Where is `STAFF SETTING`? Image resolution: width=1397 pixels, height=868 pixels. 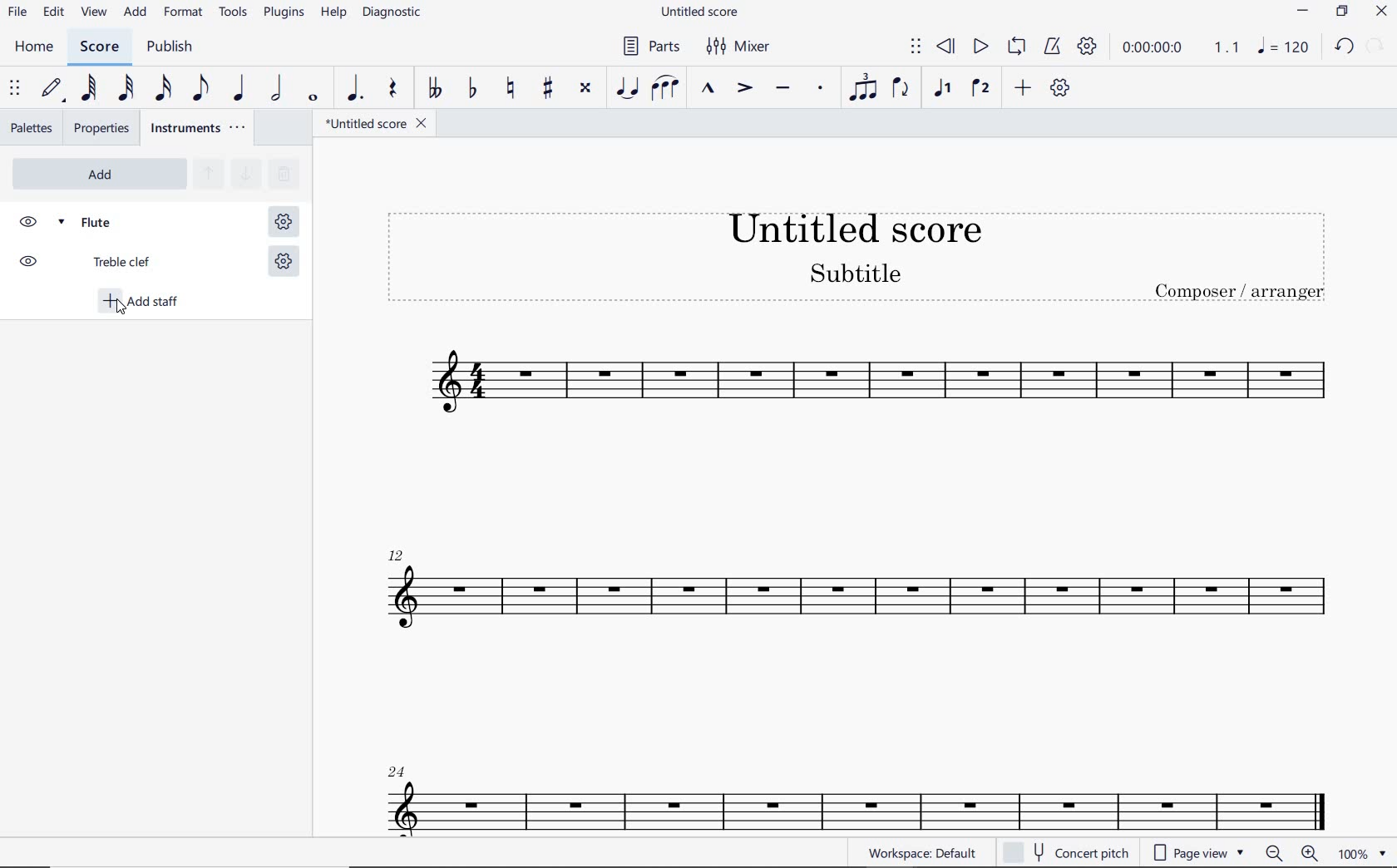 STAFF SETTING is located at coordinates (282, 222).